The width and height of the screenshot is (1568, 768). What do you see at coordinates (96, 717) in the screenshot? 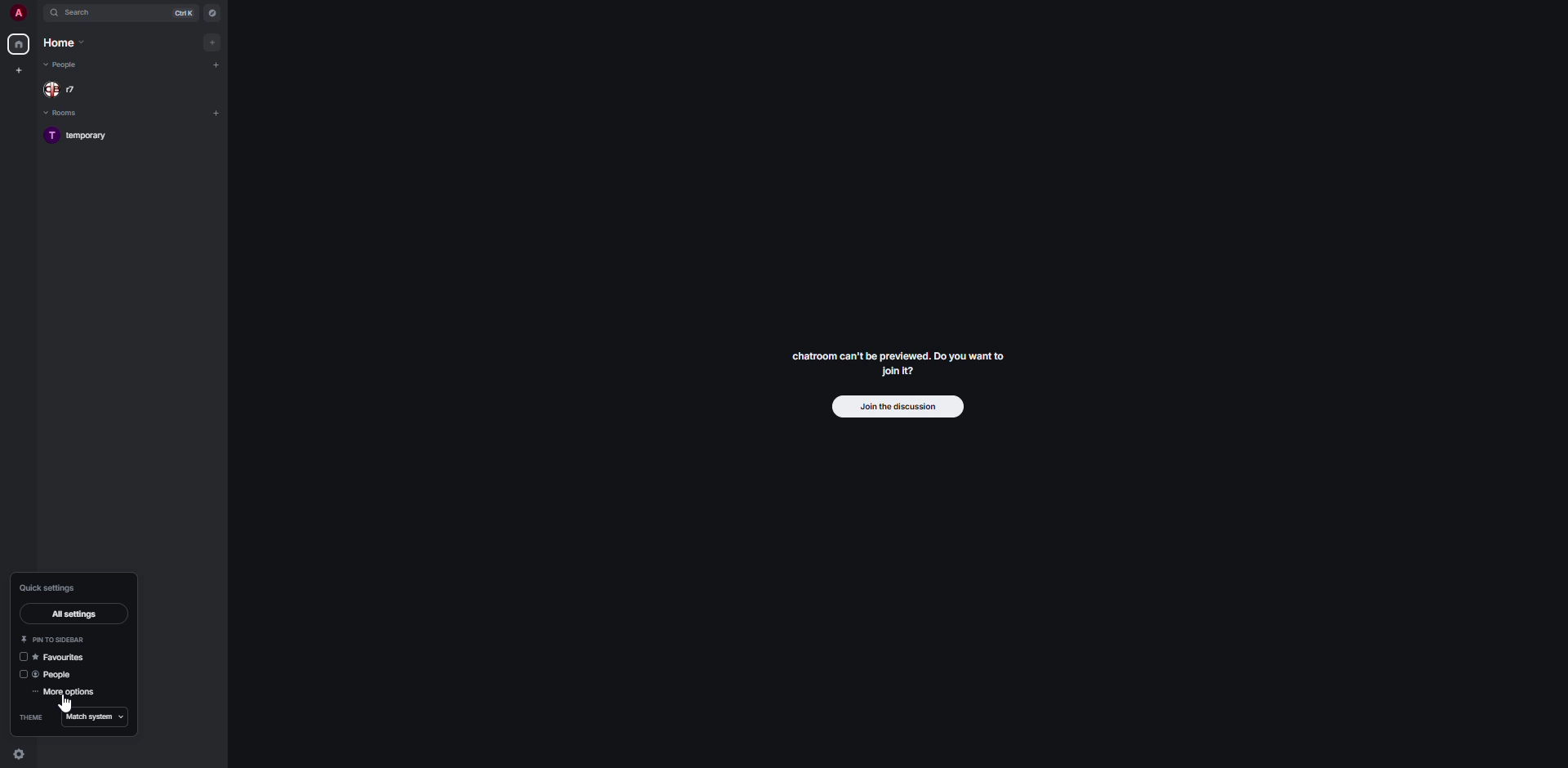
I see `match system` at bounding box center [96, 717].